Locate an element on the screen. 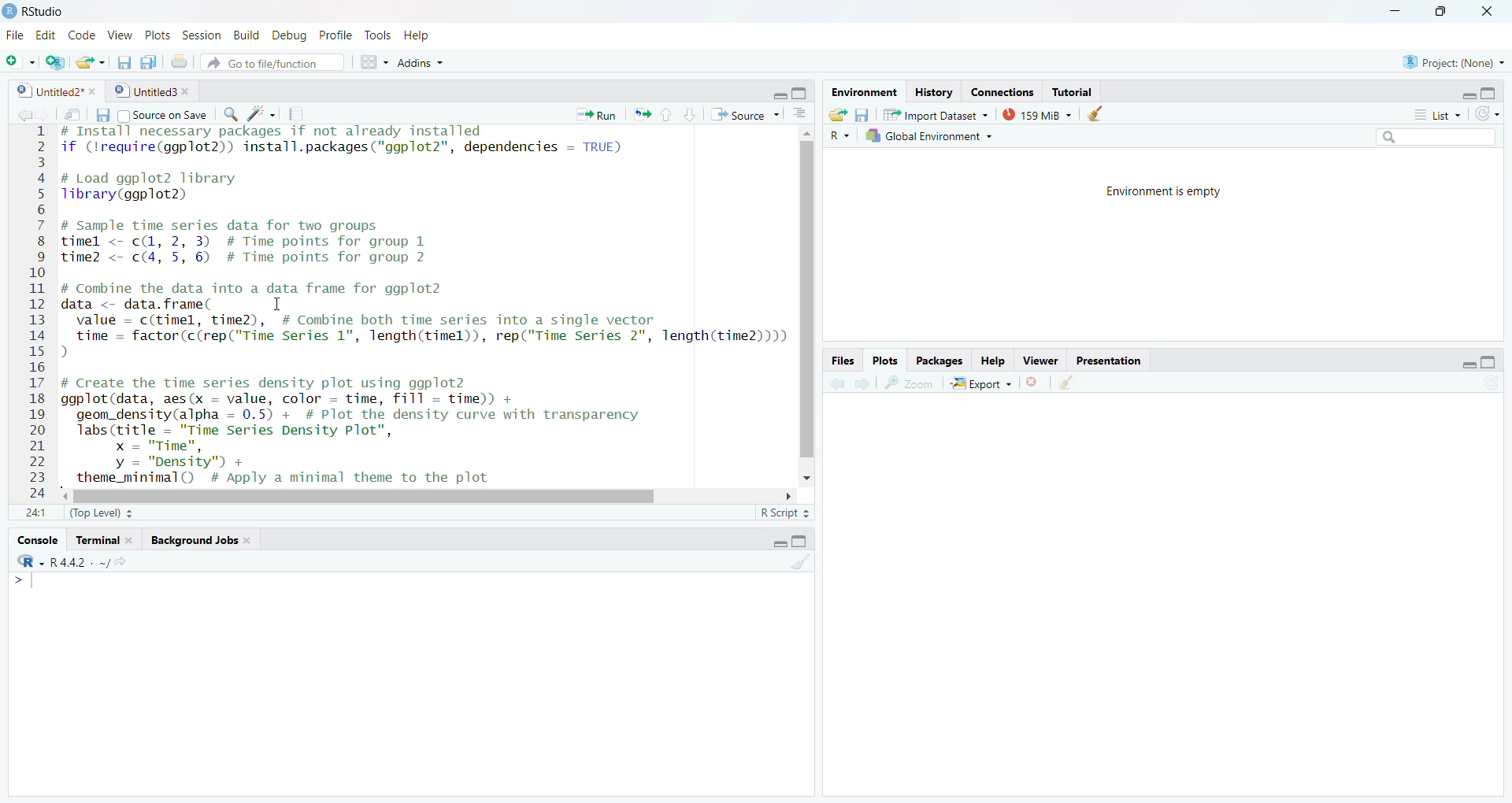 This screenshot has width=1512, height=803. Search is located at coordinates (1433, 136).